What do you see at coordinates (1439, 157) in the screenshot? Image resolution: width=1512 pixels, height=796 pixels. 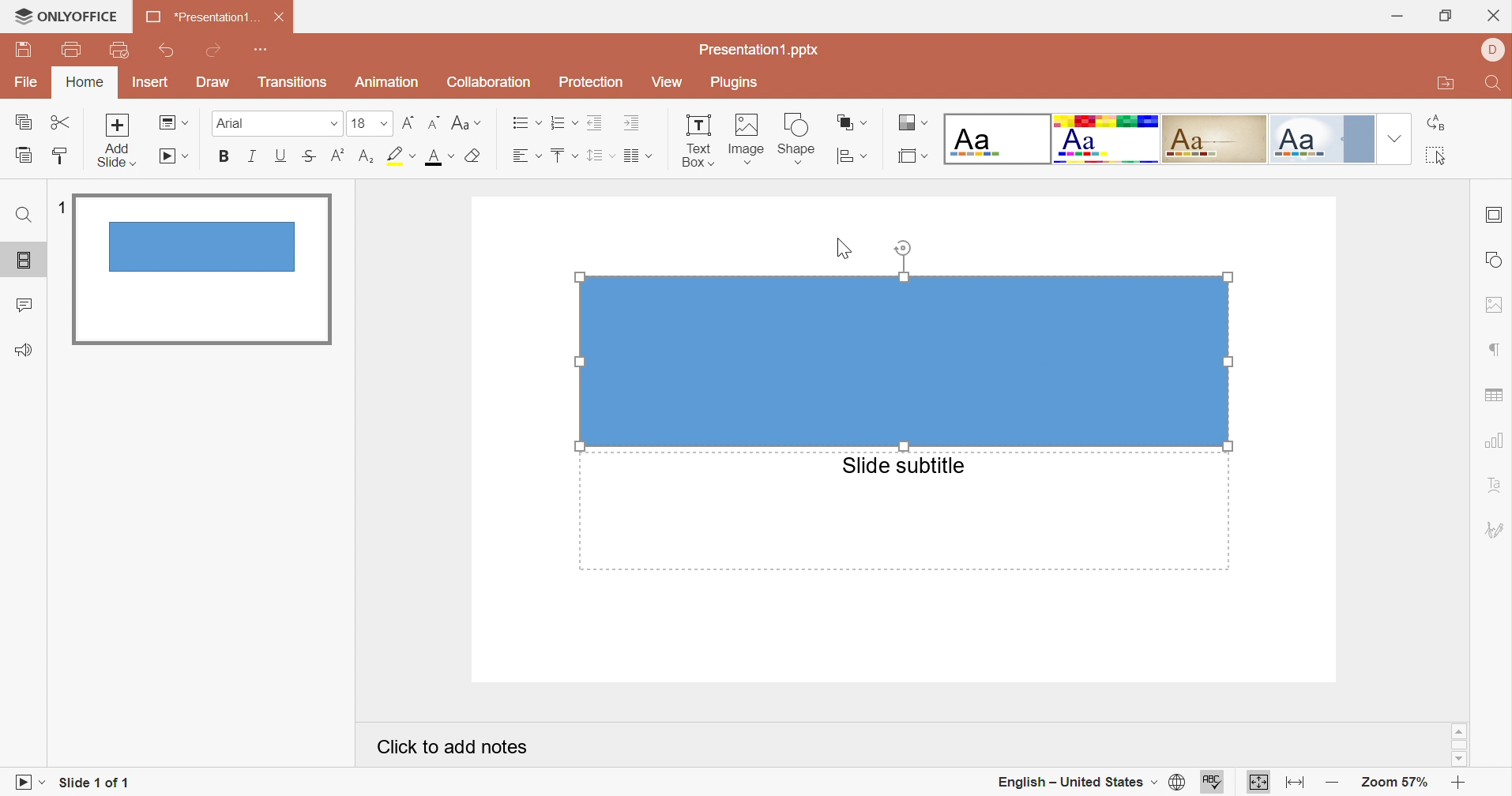 I see `Select all` at bounding box center [1439, 157].